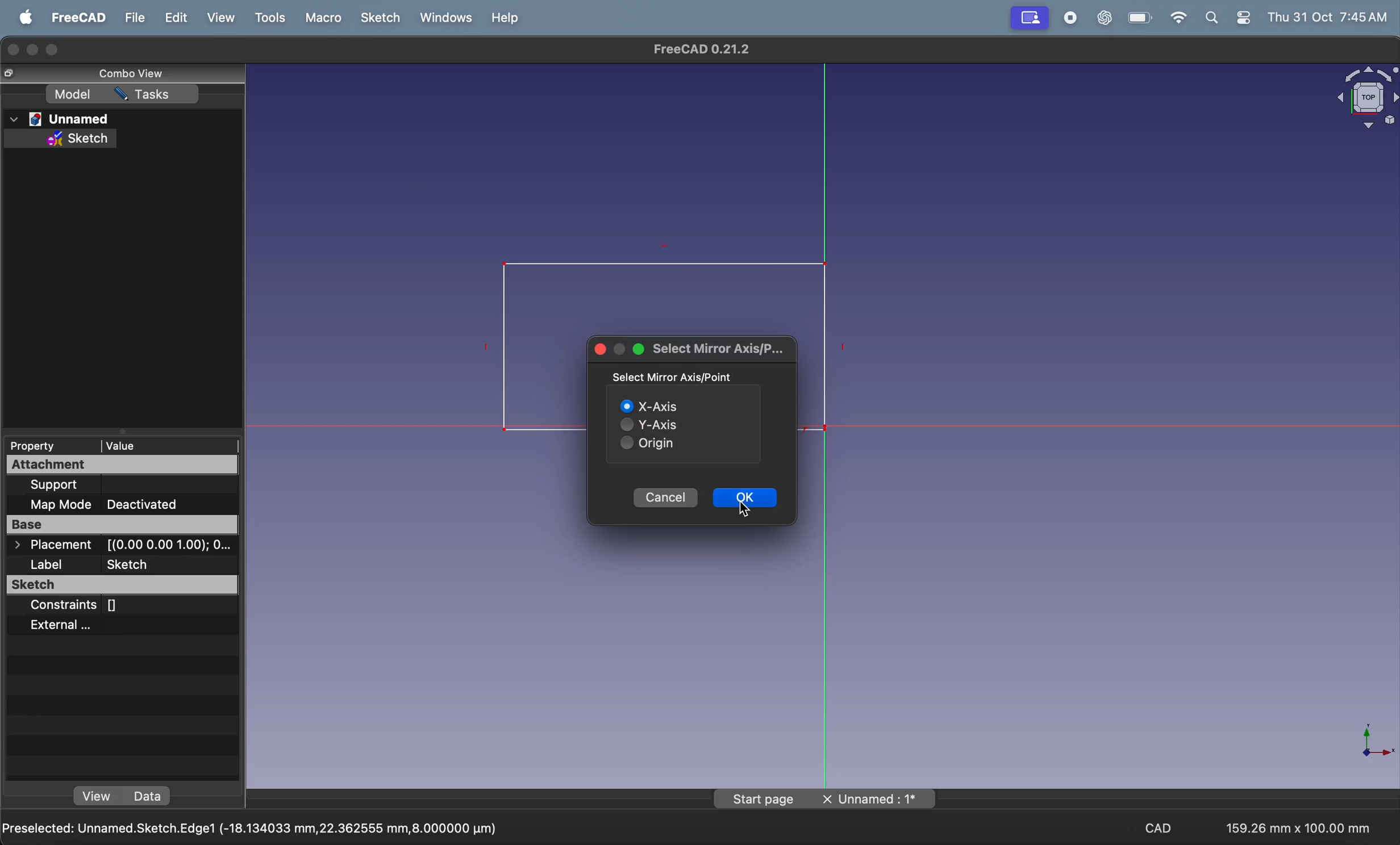  Describe the element at coordinates (123, 524) in the screenshot. I see `base` at that location.